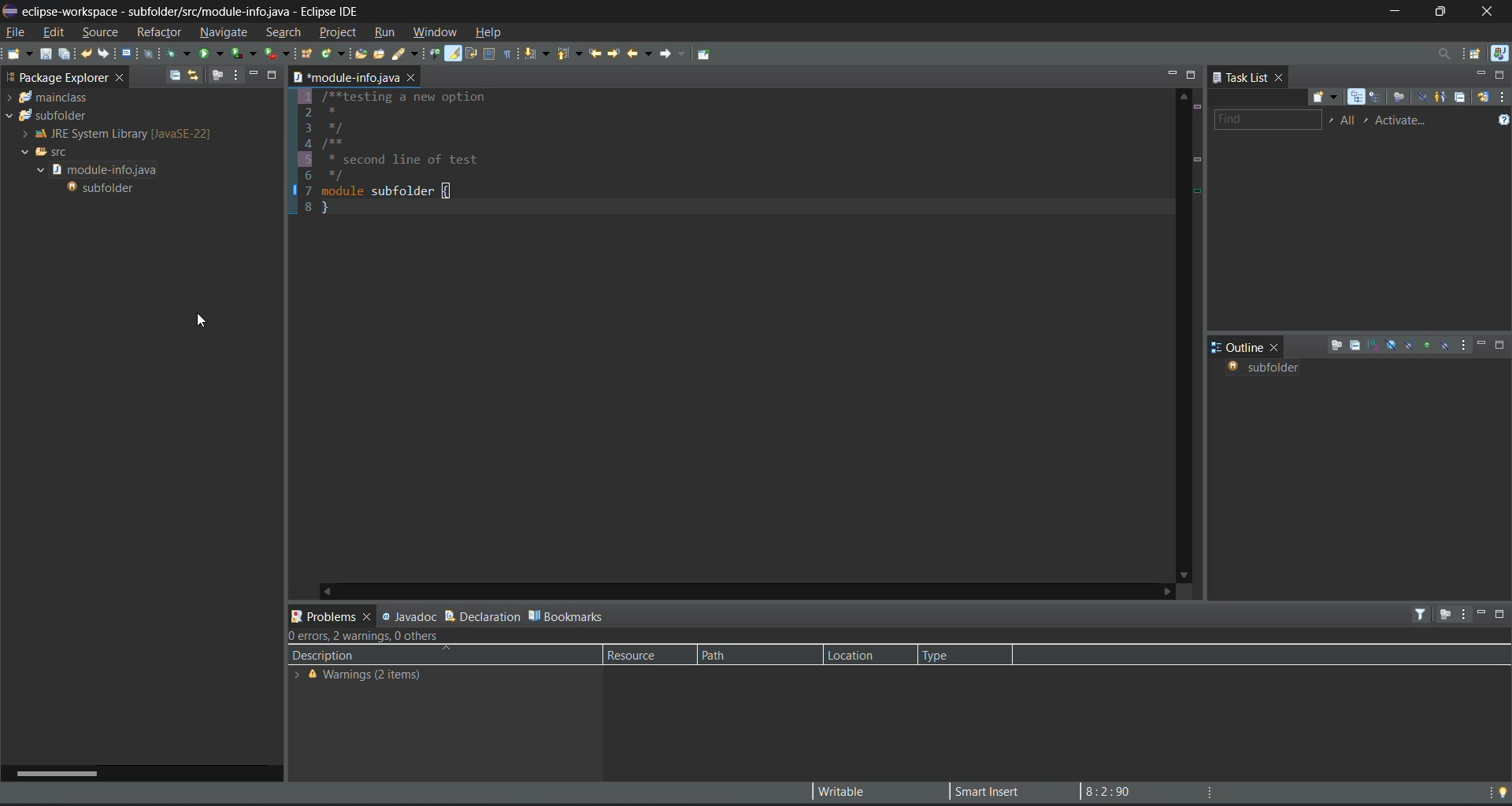  I want to click on minimize, so click(1482, 344).